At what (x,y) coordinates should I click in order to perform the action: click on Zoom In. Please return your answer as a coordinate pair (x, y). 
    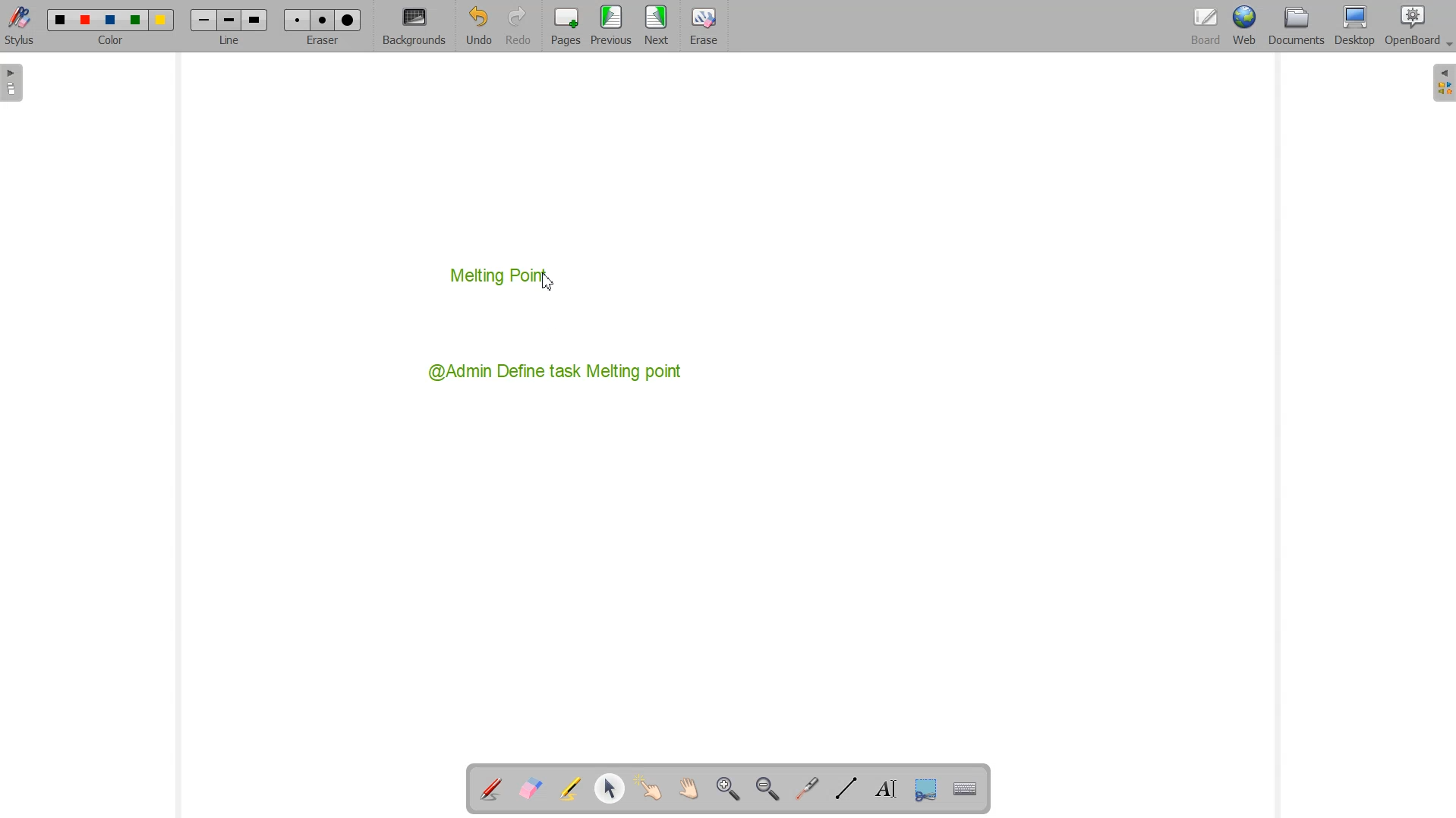
    Looking at the image, I should click on (730, 789).